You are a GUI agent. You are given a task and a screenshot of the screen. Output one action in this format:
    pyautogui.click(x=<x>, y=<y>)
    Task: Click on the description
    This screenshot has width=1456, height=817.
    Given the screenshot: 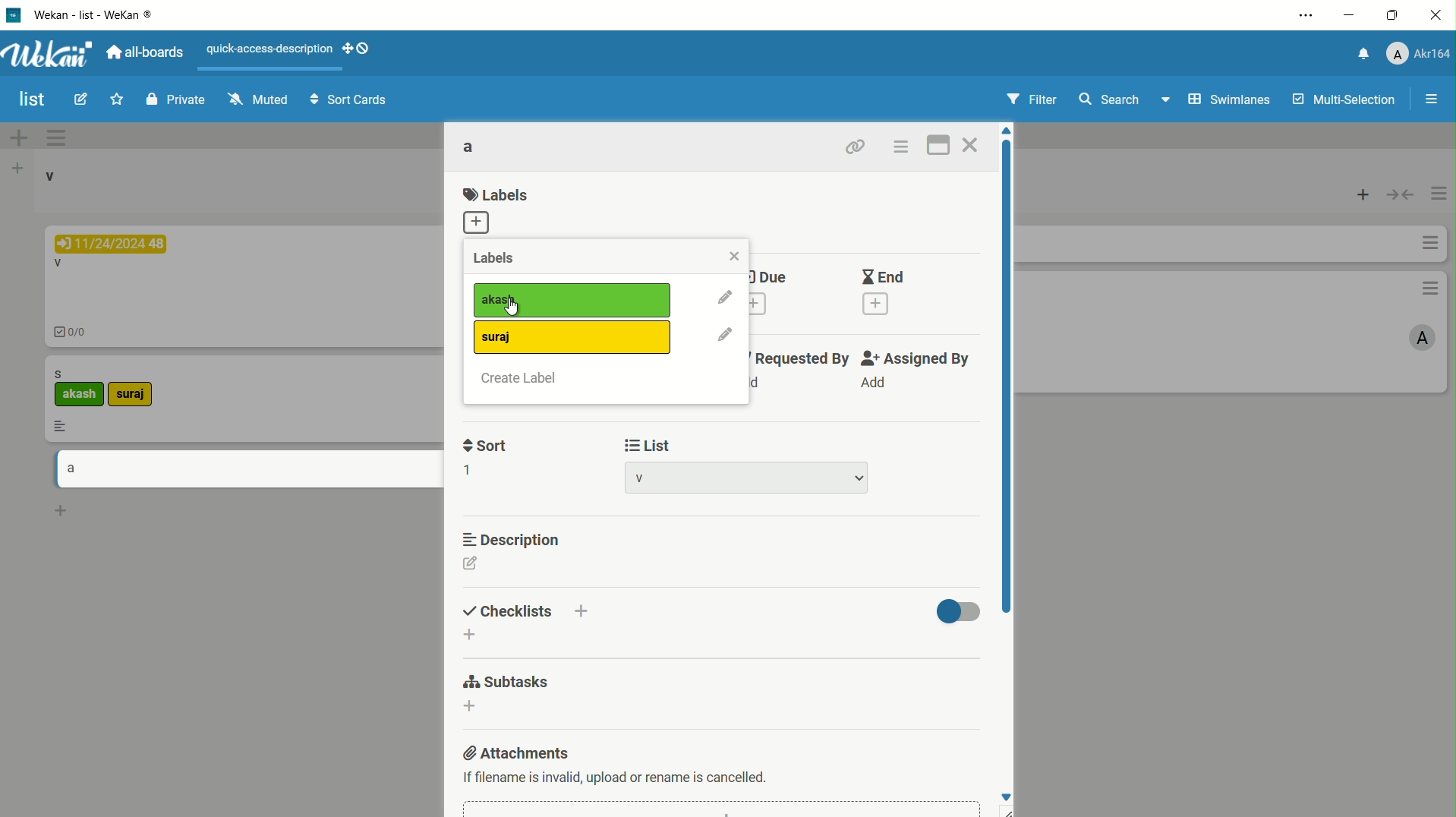 What is the action you would take?
    pyautogui.click(x=509, y=541)
    